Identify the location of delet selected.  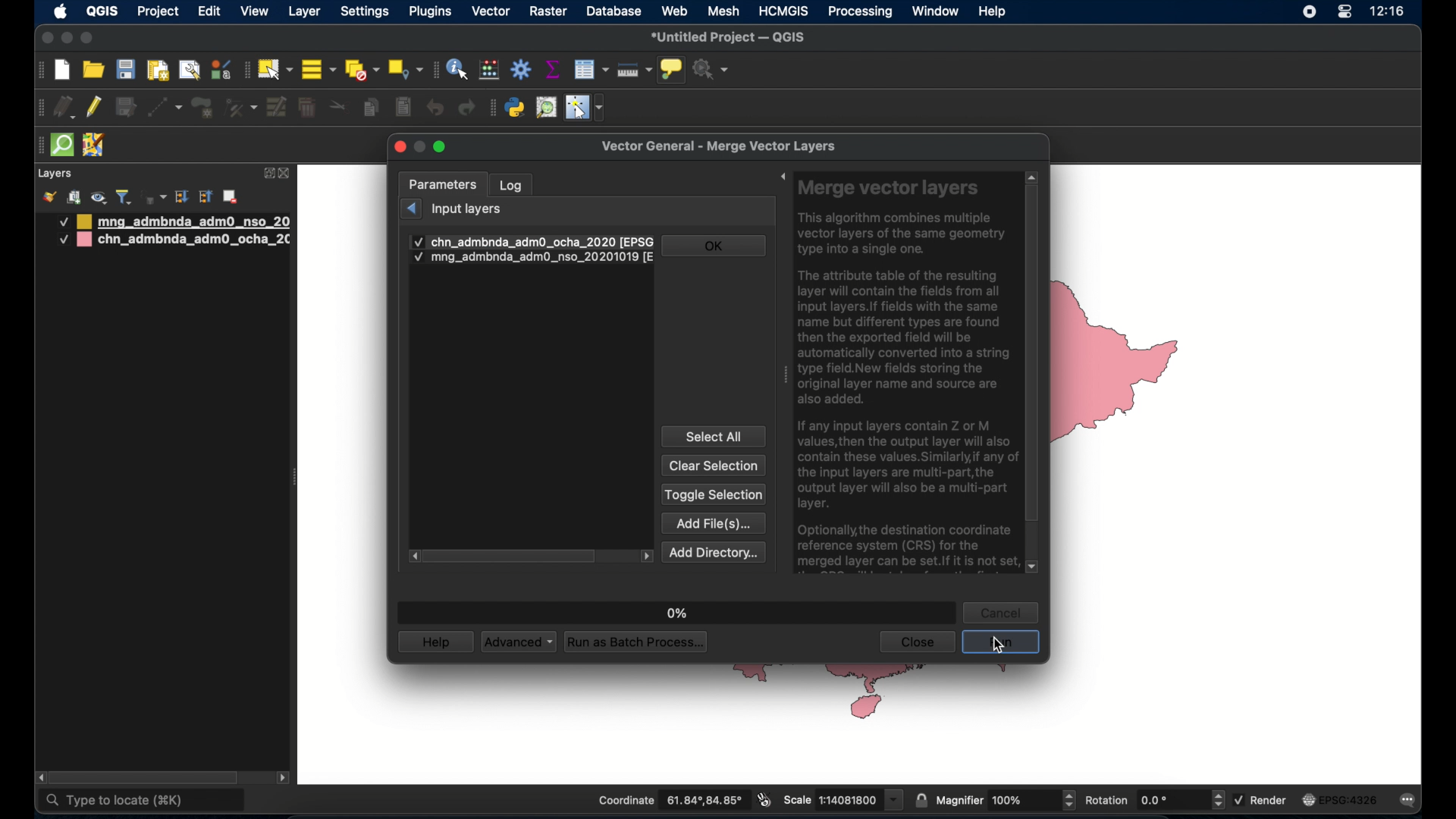
(306, 108).